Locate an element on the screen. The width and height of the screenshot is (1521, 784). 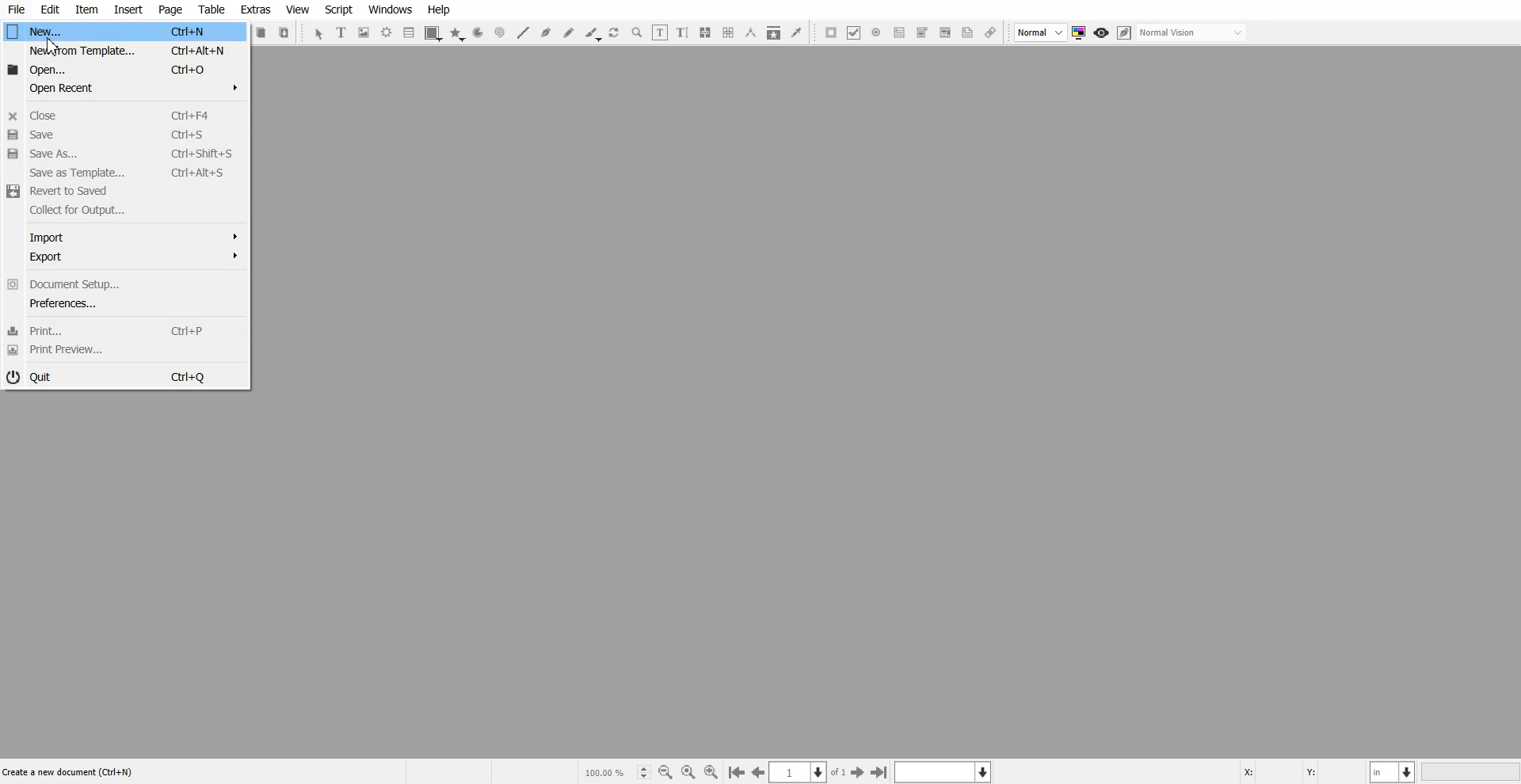
Select the current layer is located at coordinates (945, 771).